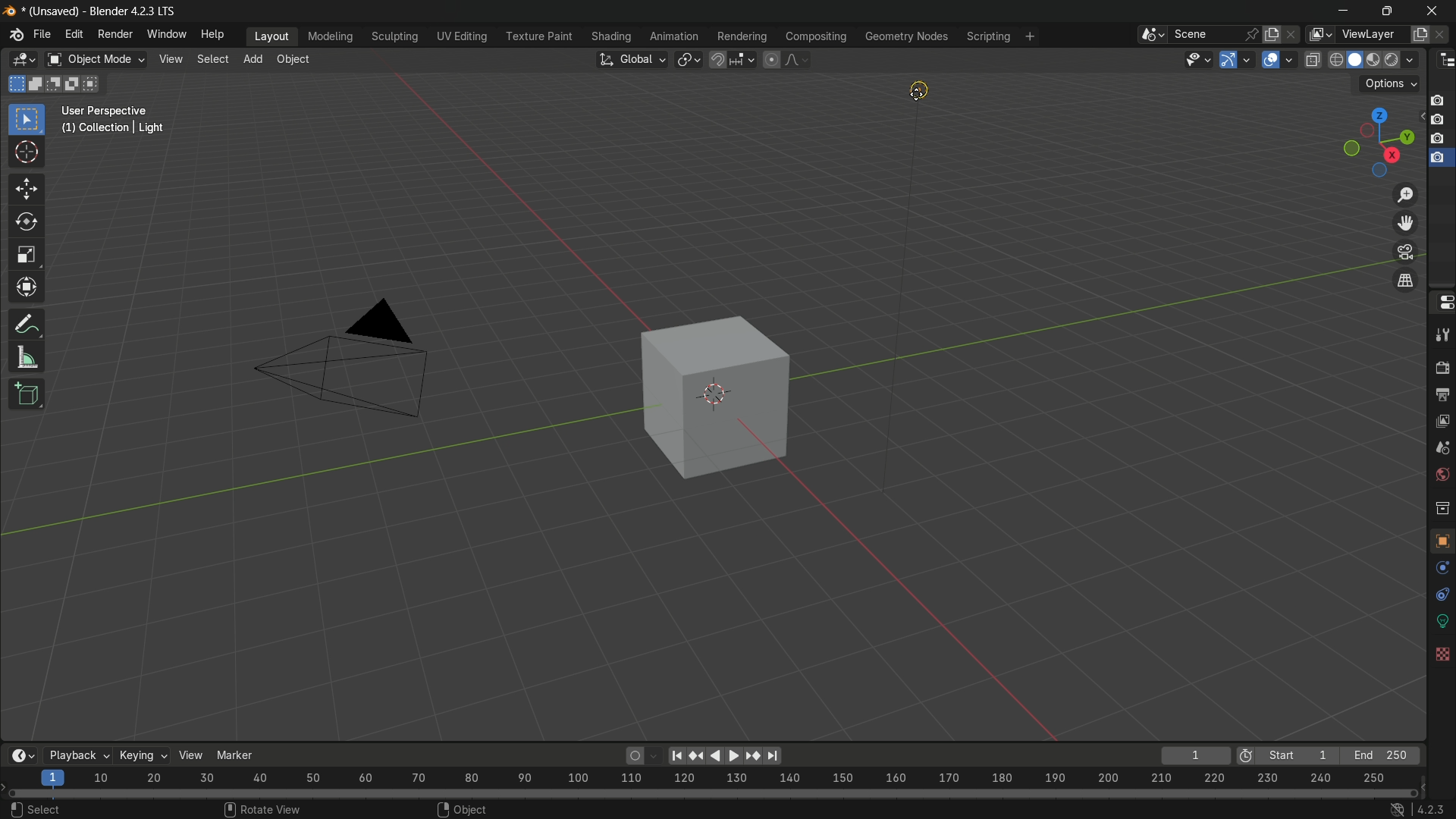  Describe the element at coordinates (1354, 61) in the screenshot. I see `solid` at that location.